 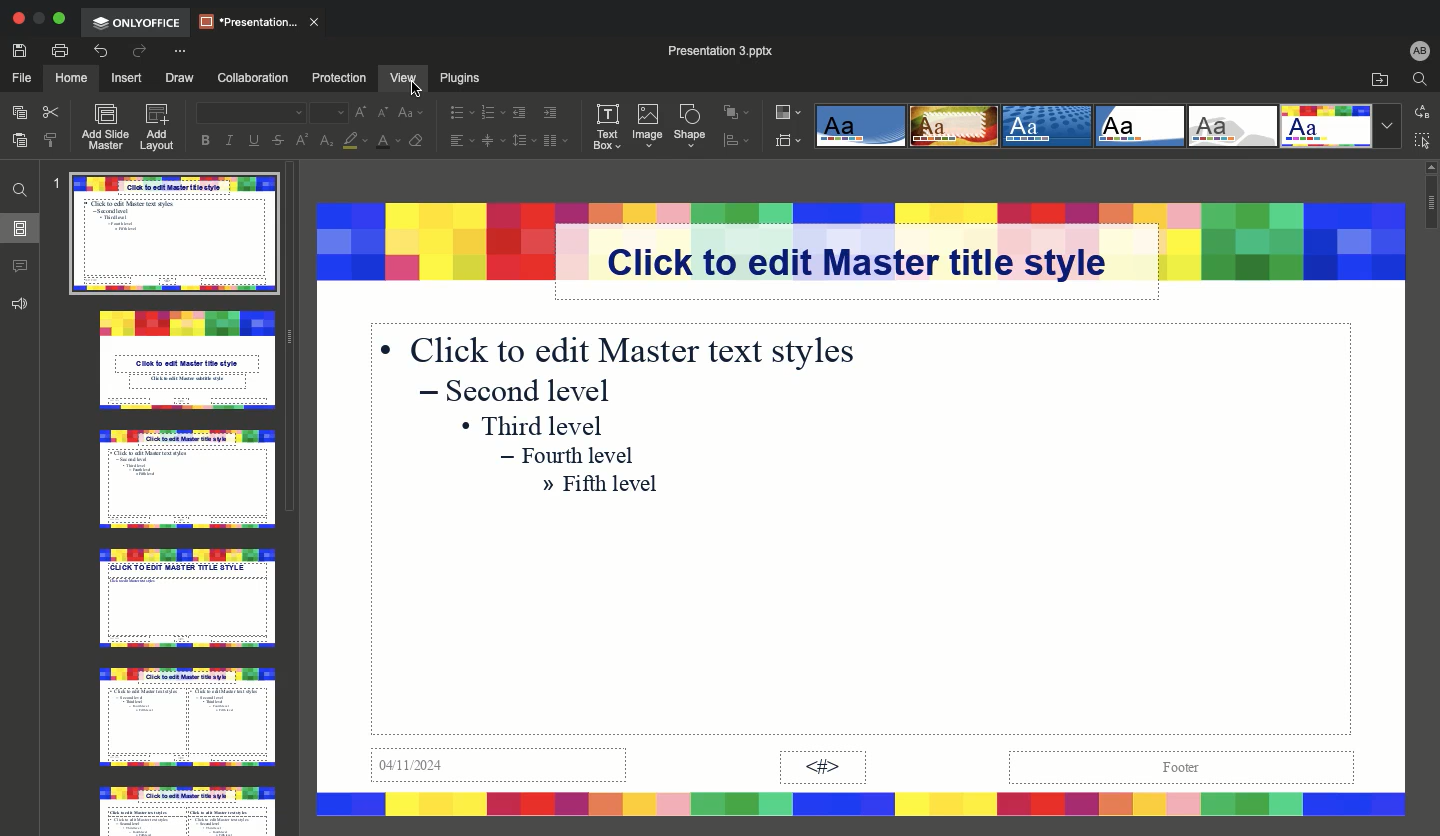 What do you see at coordinates (402, 84) in the screenshot?
I see `Cursor` at bounding box center [402, 84].